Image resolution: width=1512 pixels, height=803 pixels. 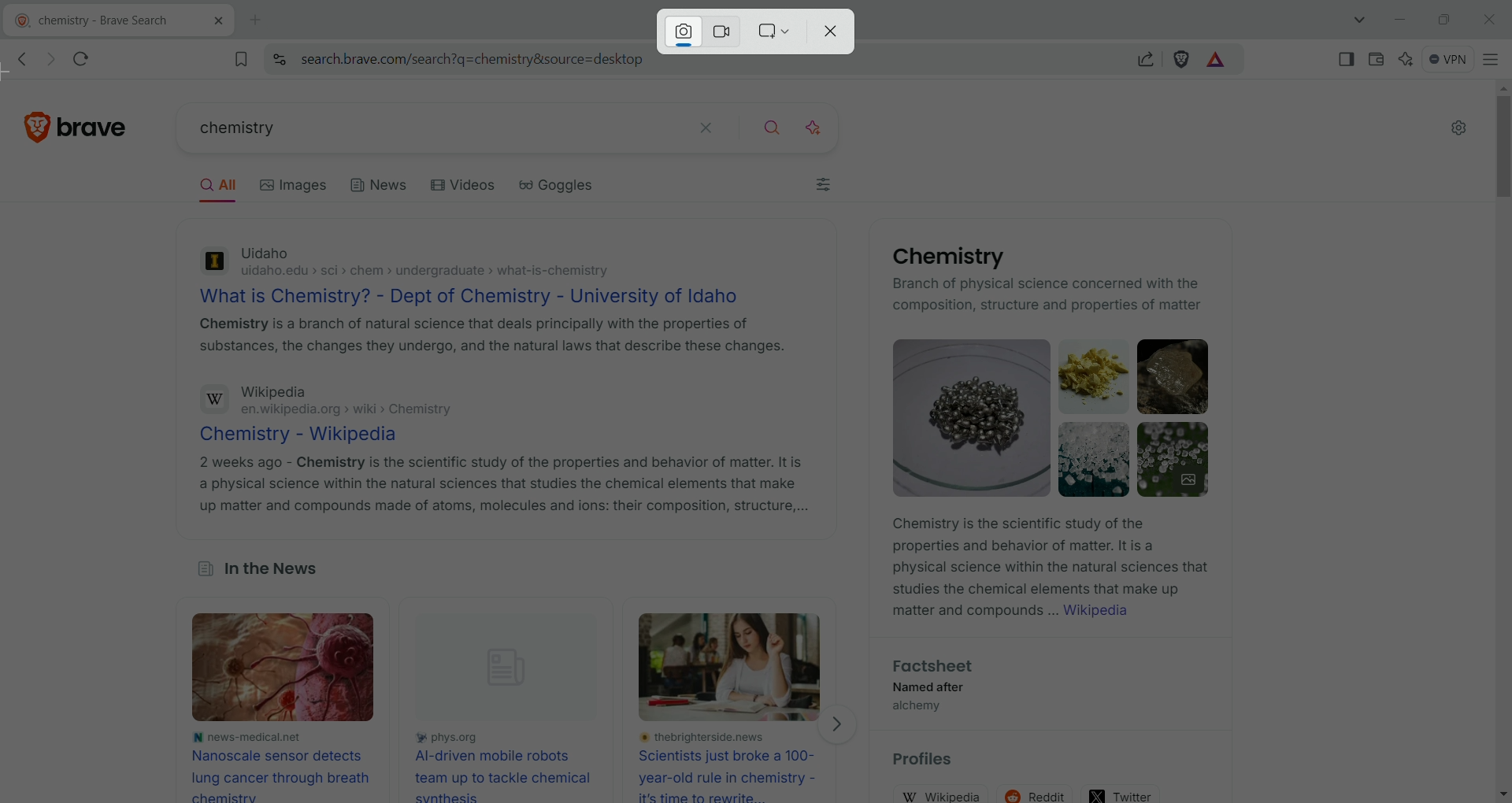 I want to click on Factsheet— Named after- alchemy, so click(x=929, y=689).